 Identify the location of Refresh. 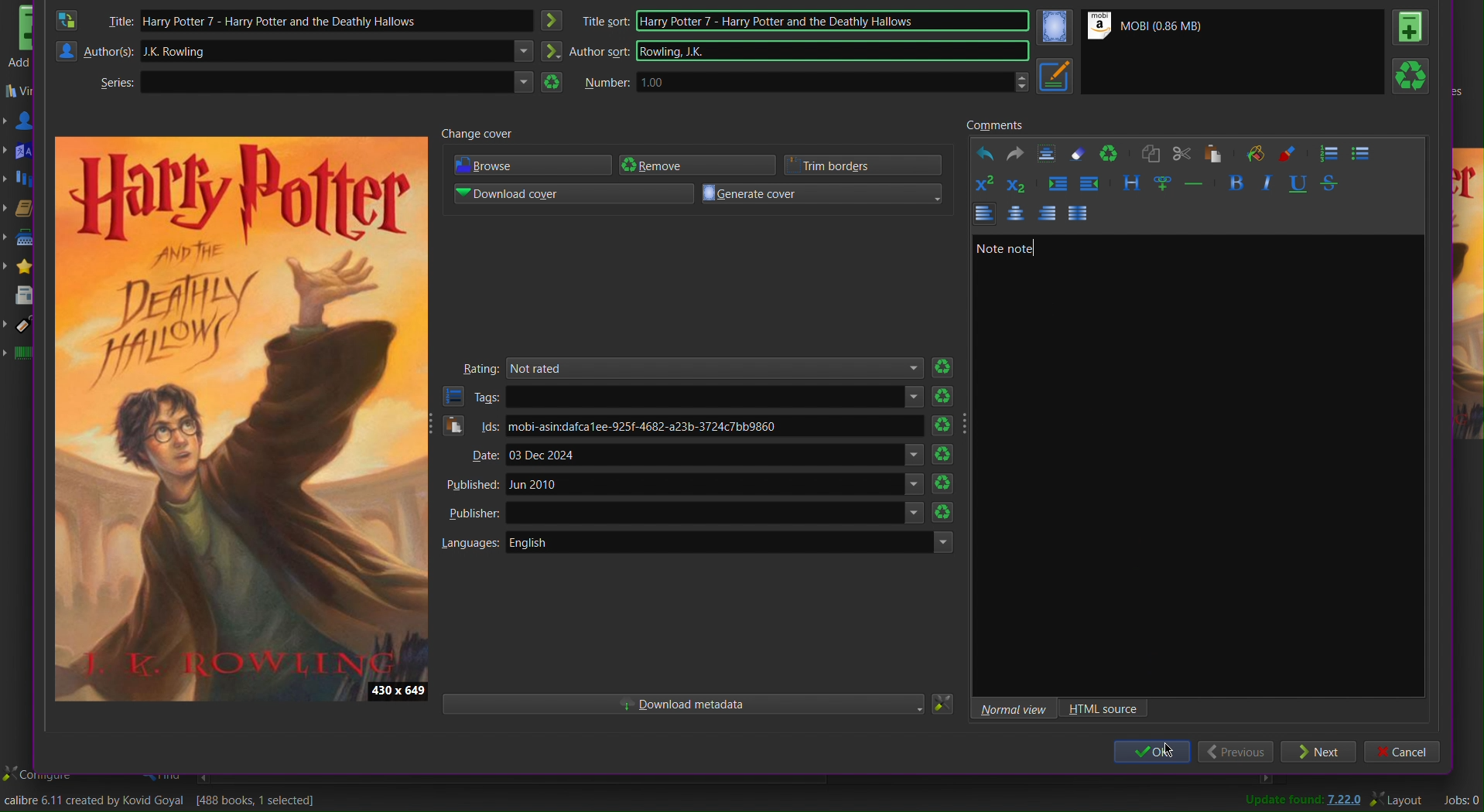
(1110, 152).